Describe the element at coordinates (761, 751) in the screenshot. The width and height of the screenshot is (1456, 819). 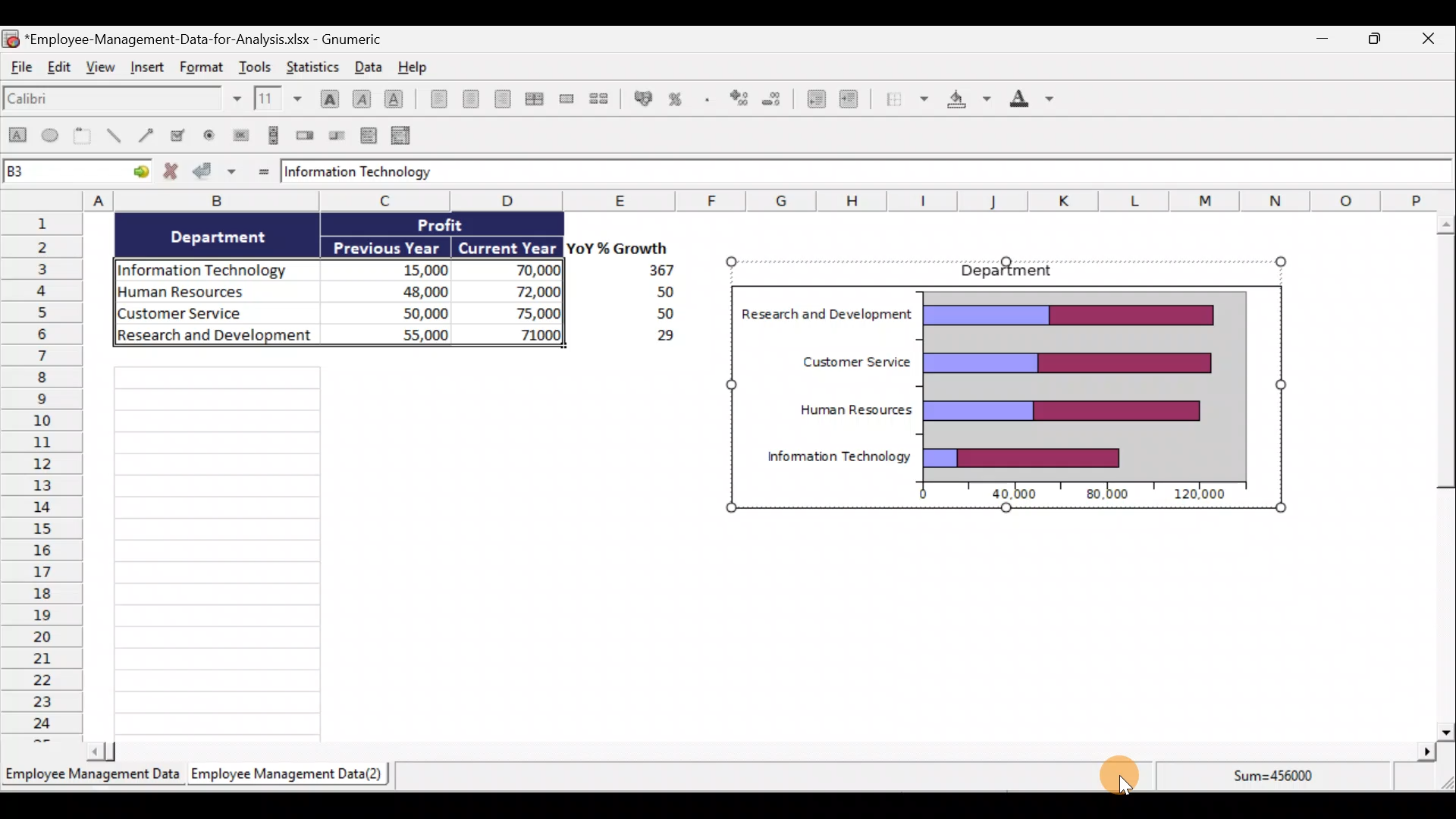
I see `Scroll bar` at that location.